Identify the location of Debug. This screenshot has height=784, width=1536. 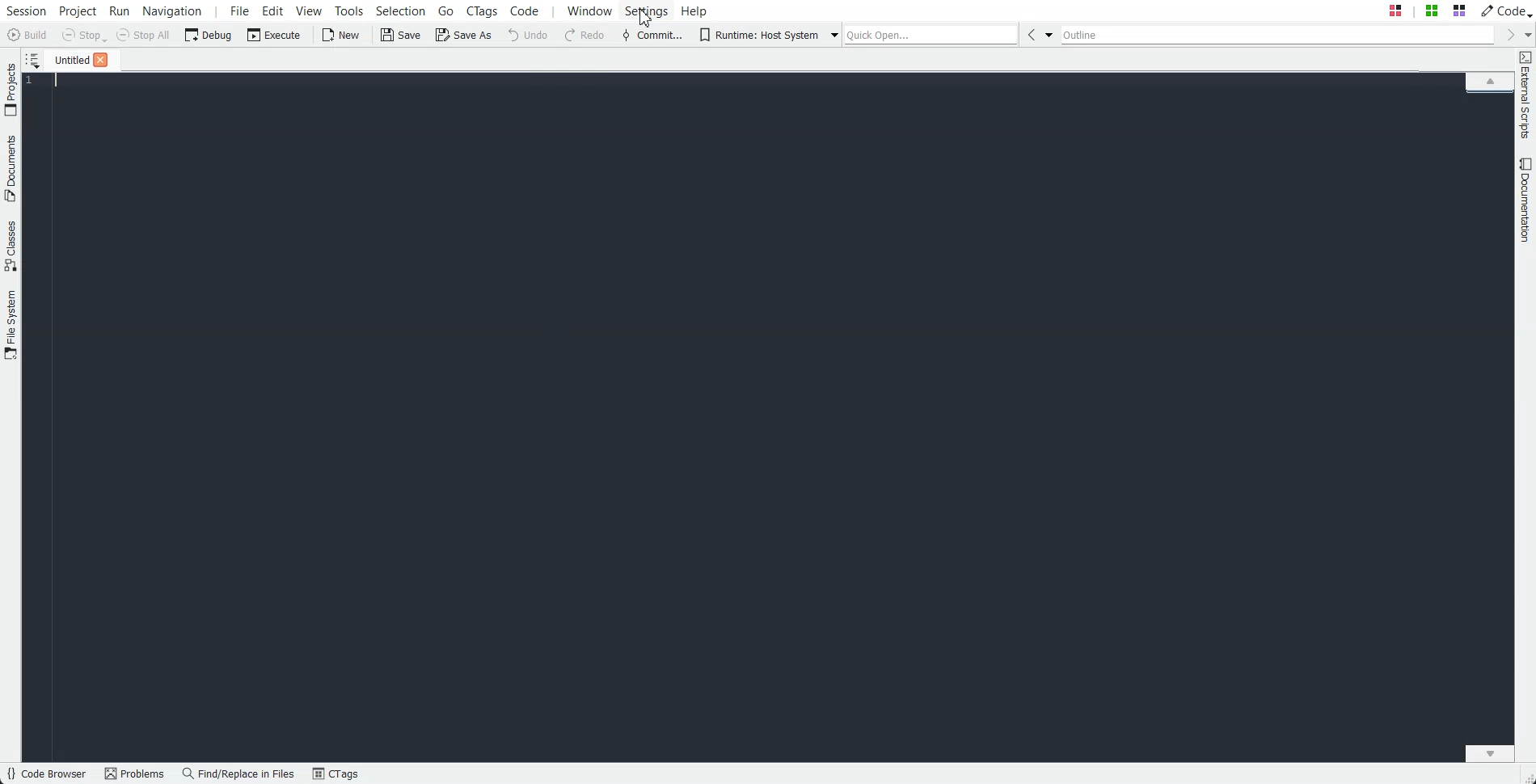
(209, 34).